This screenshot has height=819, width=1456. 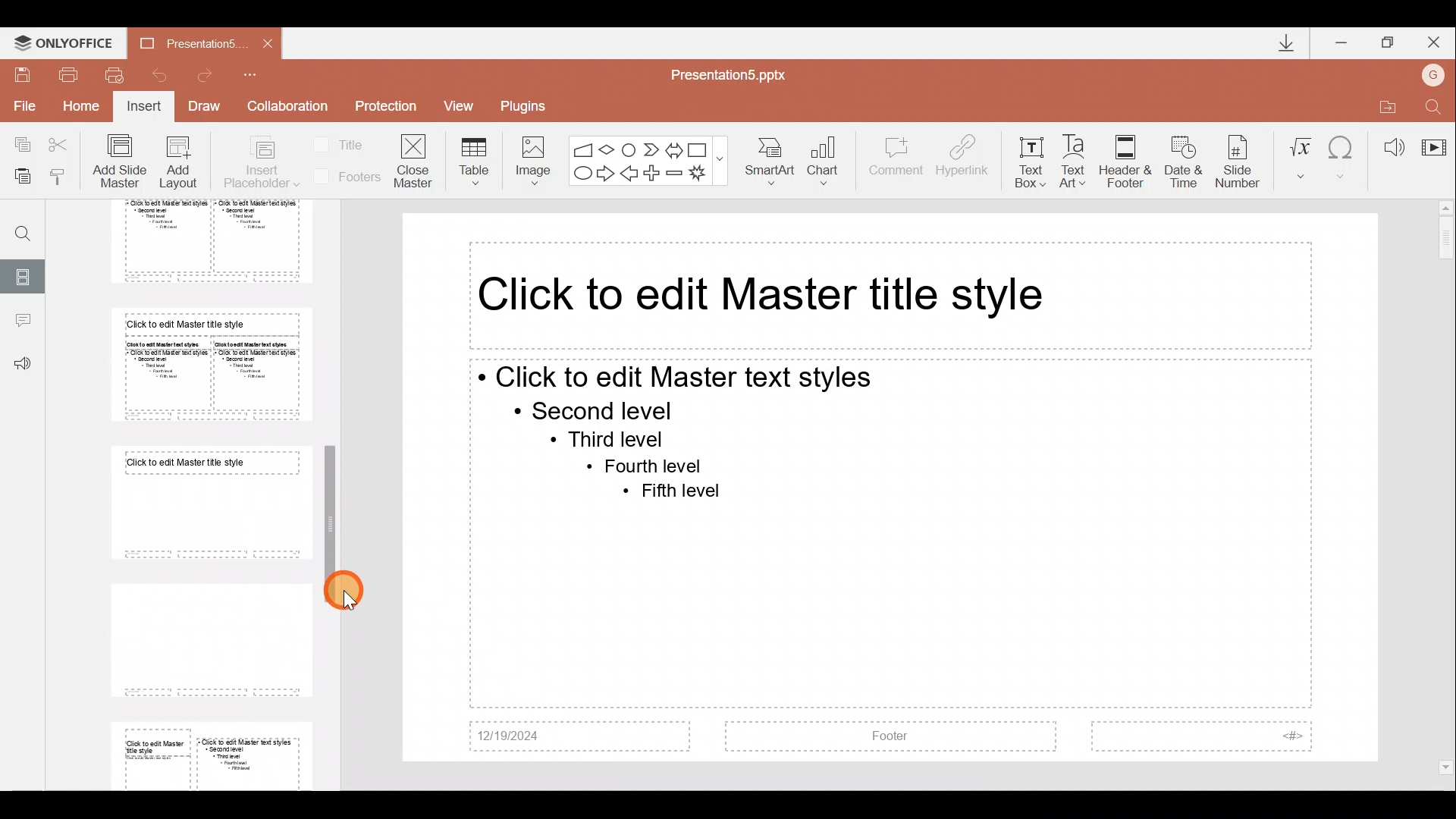 What do you see at coordinates (334, 485) in the screenshot?
I see `Scroll bar` at bounding box center [334, 485].